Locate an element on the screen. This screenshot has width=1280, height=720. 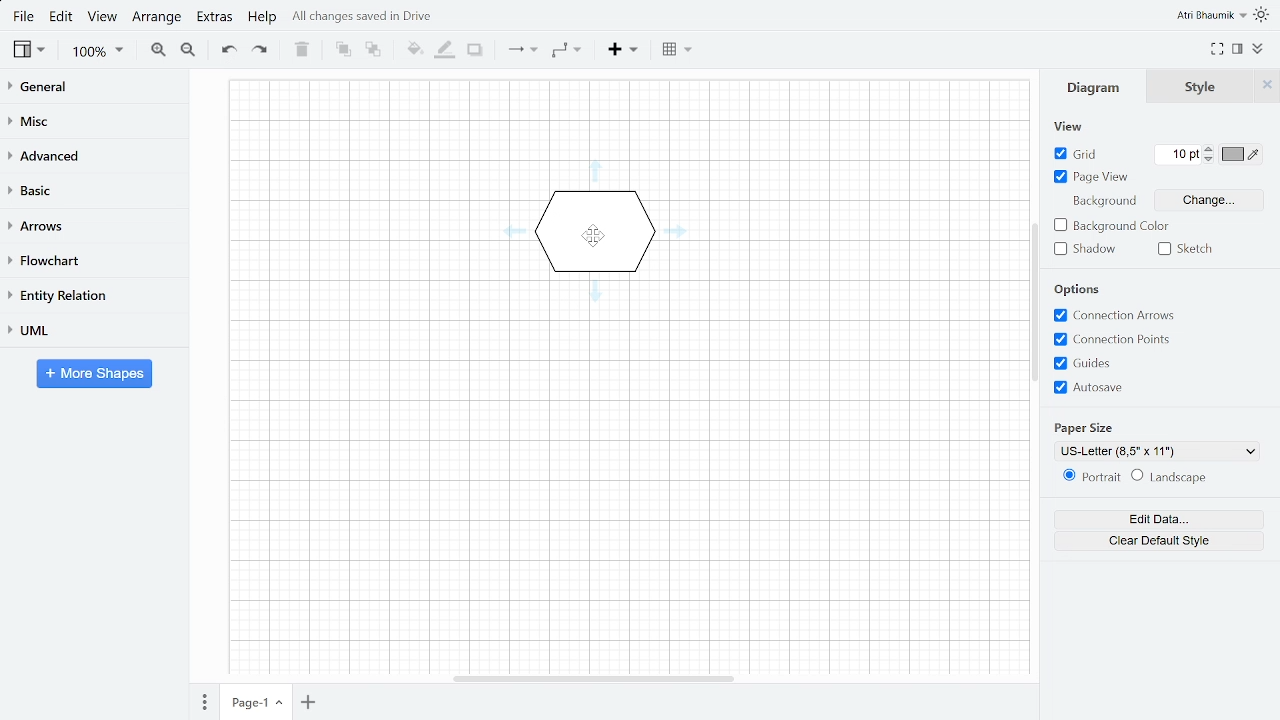
Connection arrows is located at coordinates (1116, 315).